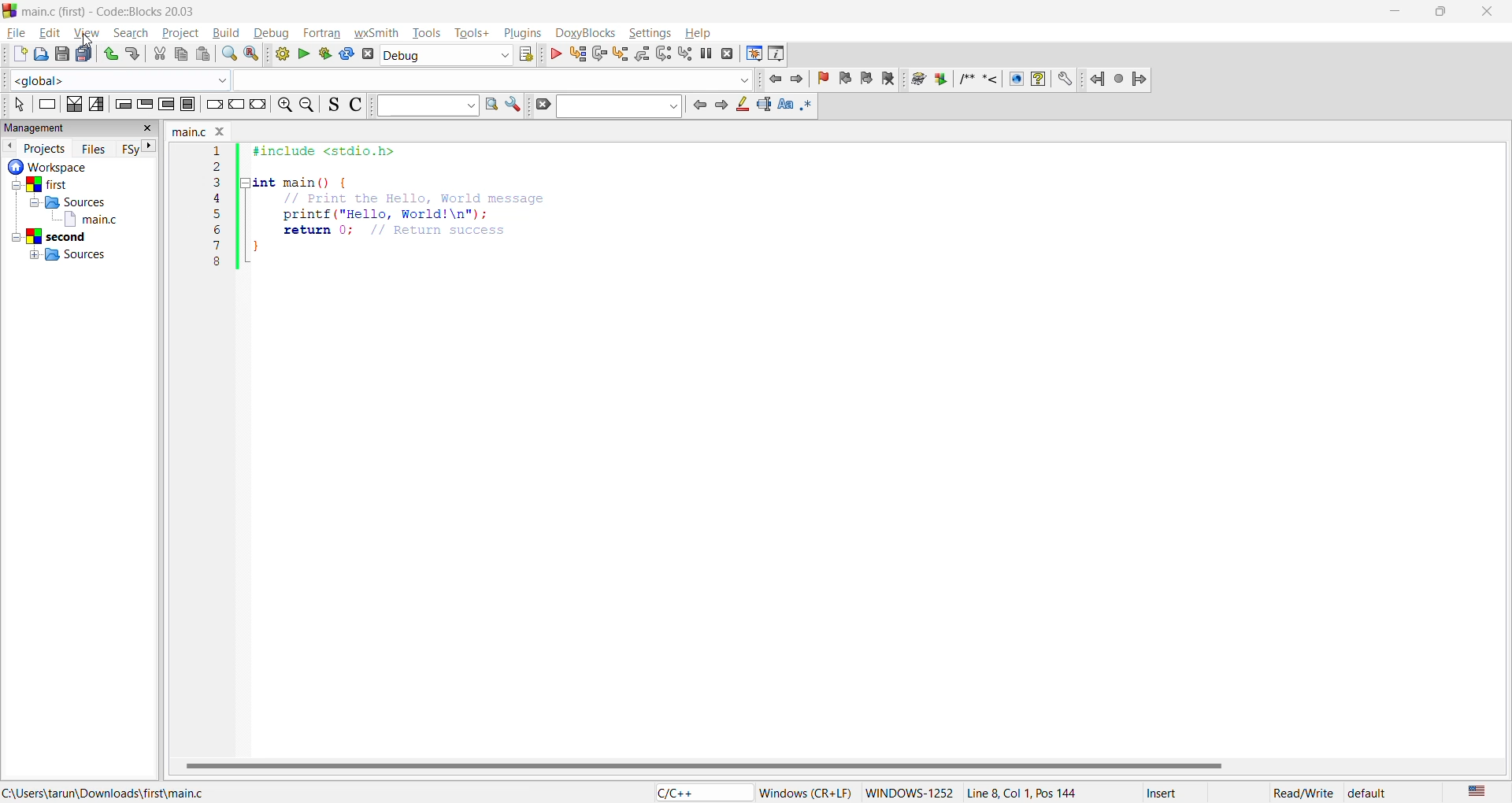 The height and width of the screenshot is (803, 1512). What do you see at coordinates (78, 202) in the screenshot?
I see `Sources` at bounding box center [78, 202].